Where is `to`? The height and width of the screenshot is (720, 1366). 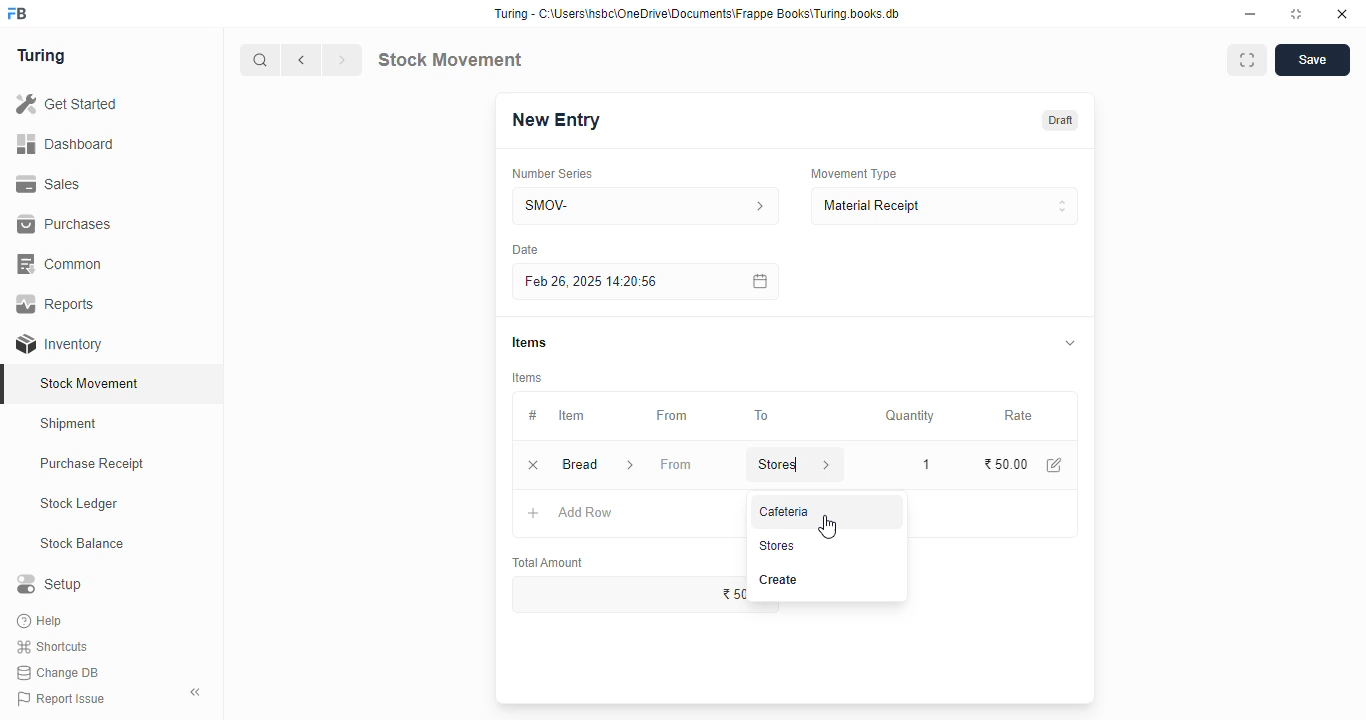 to is located at coordinates (763, 416).